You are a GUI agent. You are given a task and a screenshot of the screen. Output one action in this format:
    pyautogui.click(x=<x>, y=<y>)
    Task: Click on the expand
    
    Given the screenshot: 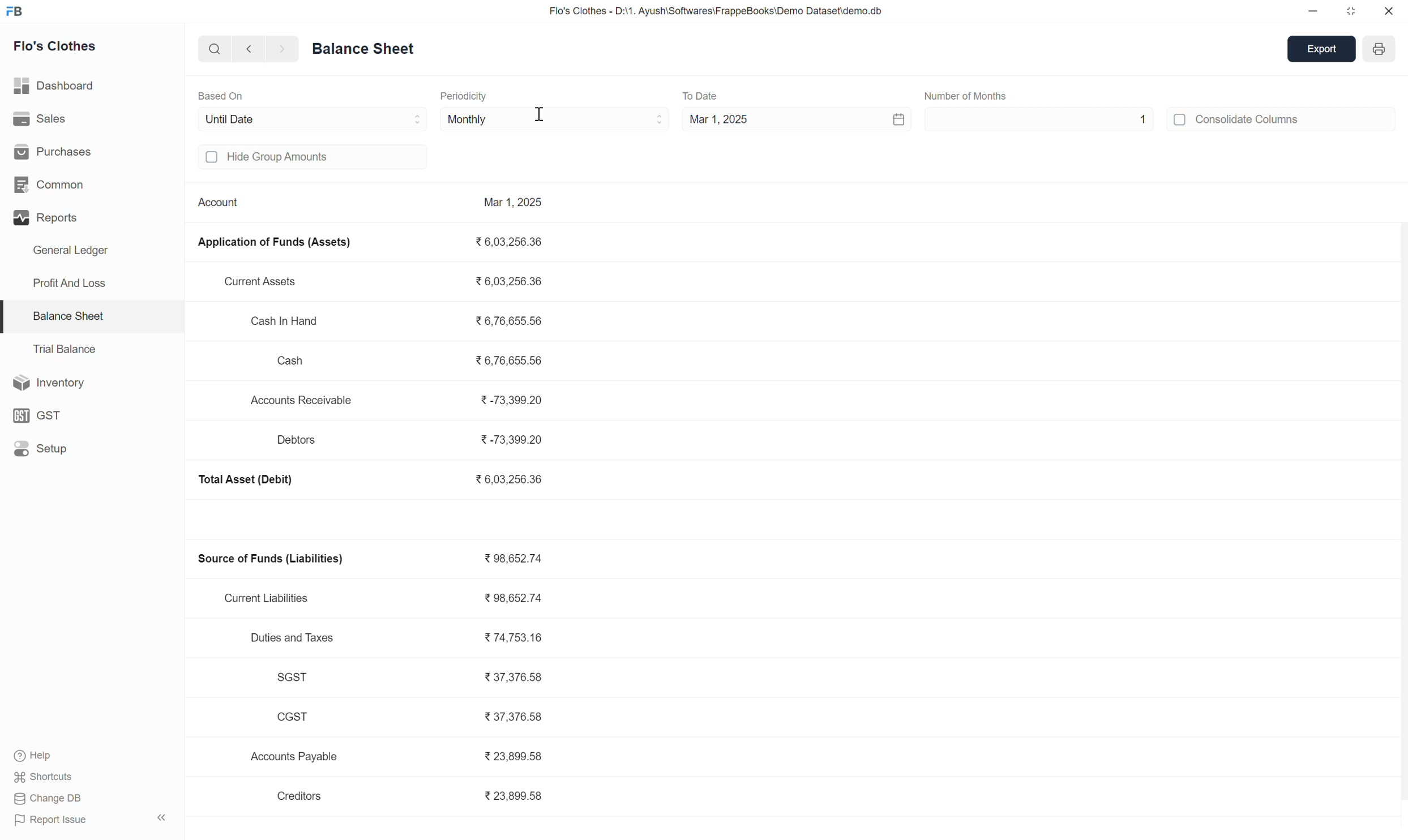 What is the action you would take?
    pyautogui.click(x=161, y=815)
    